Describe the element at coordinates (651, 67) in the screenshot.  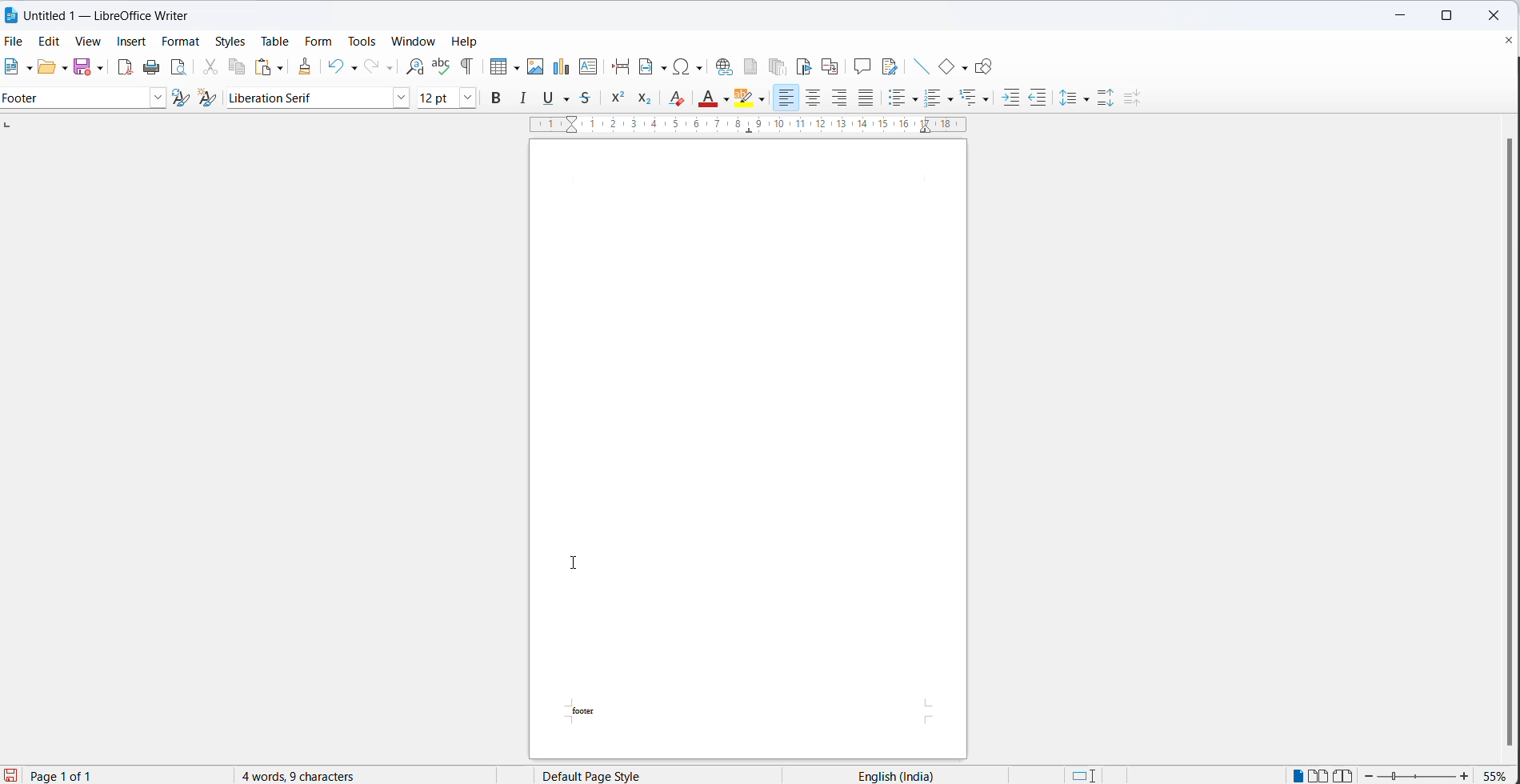
I see `insert field` at that location.